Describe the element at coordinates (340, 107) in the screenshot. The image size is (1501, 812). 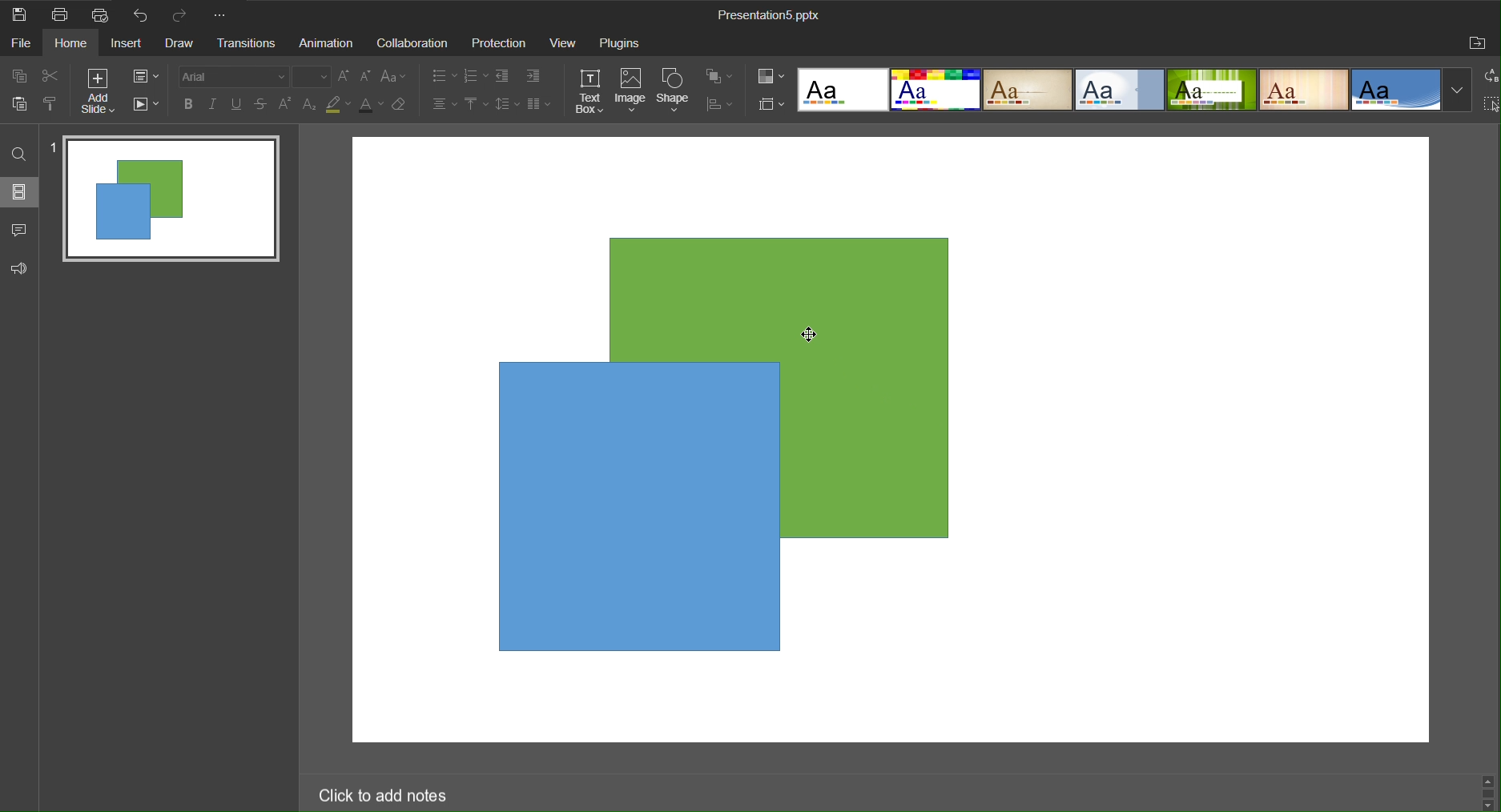
I see `Highlight` at that location.